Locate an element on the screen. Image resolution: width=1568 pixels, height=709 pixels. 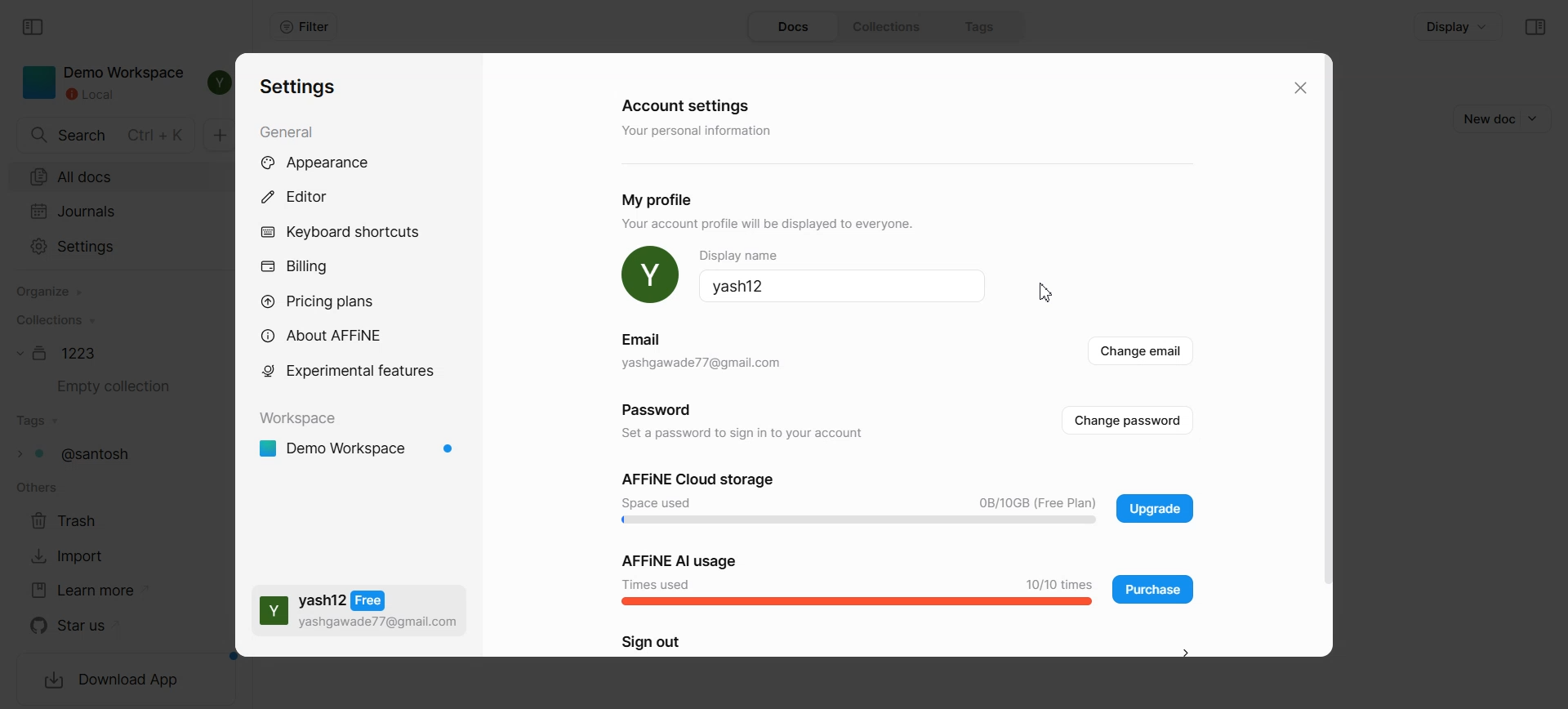
Appearance is located at coordinates (332, 163).